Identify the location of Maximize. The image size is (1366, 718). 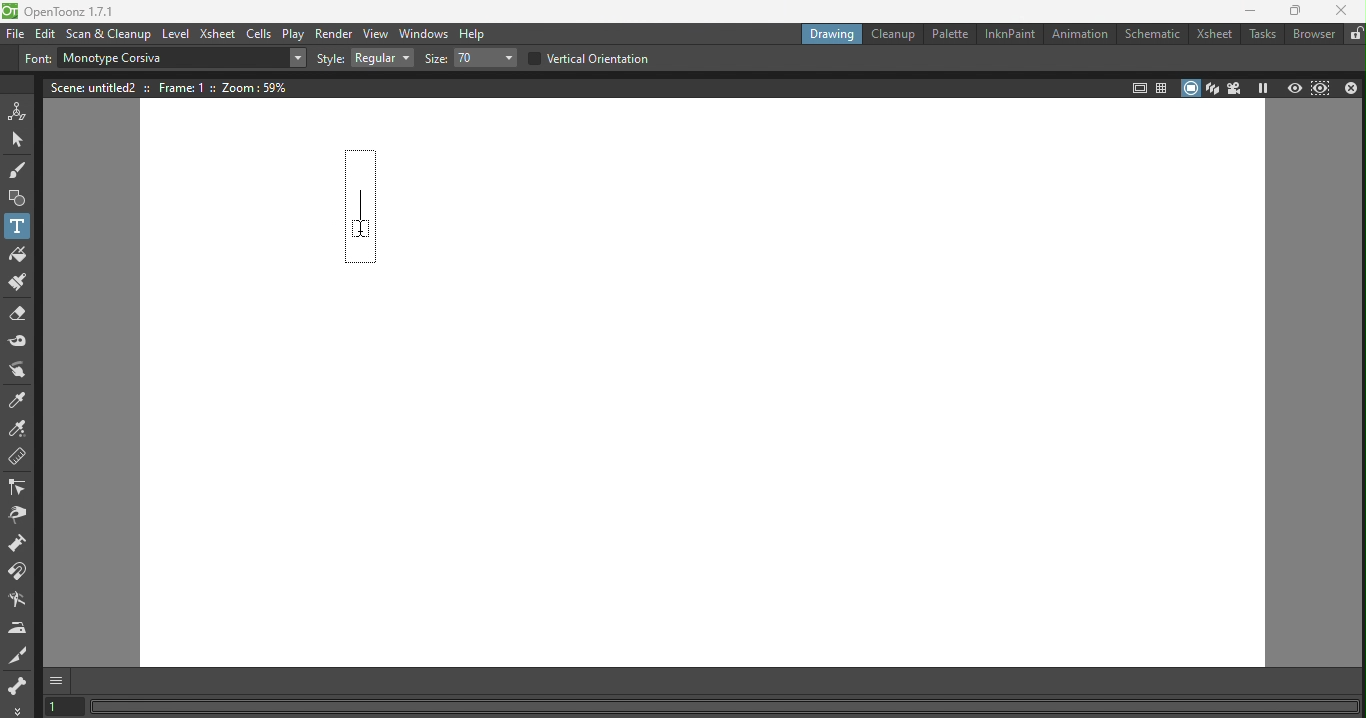
(1297, 12).